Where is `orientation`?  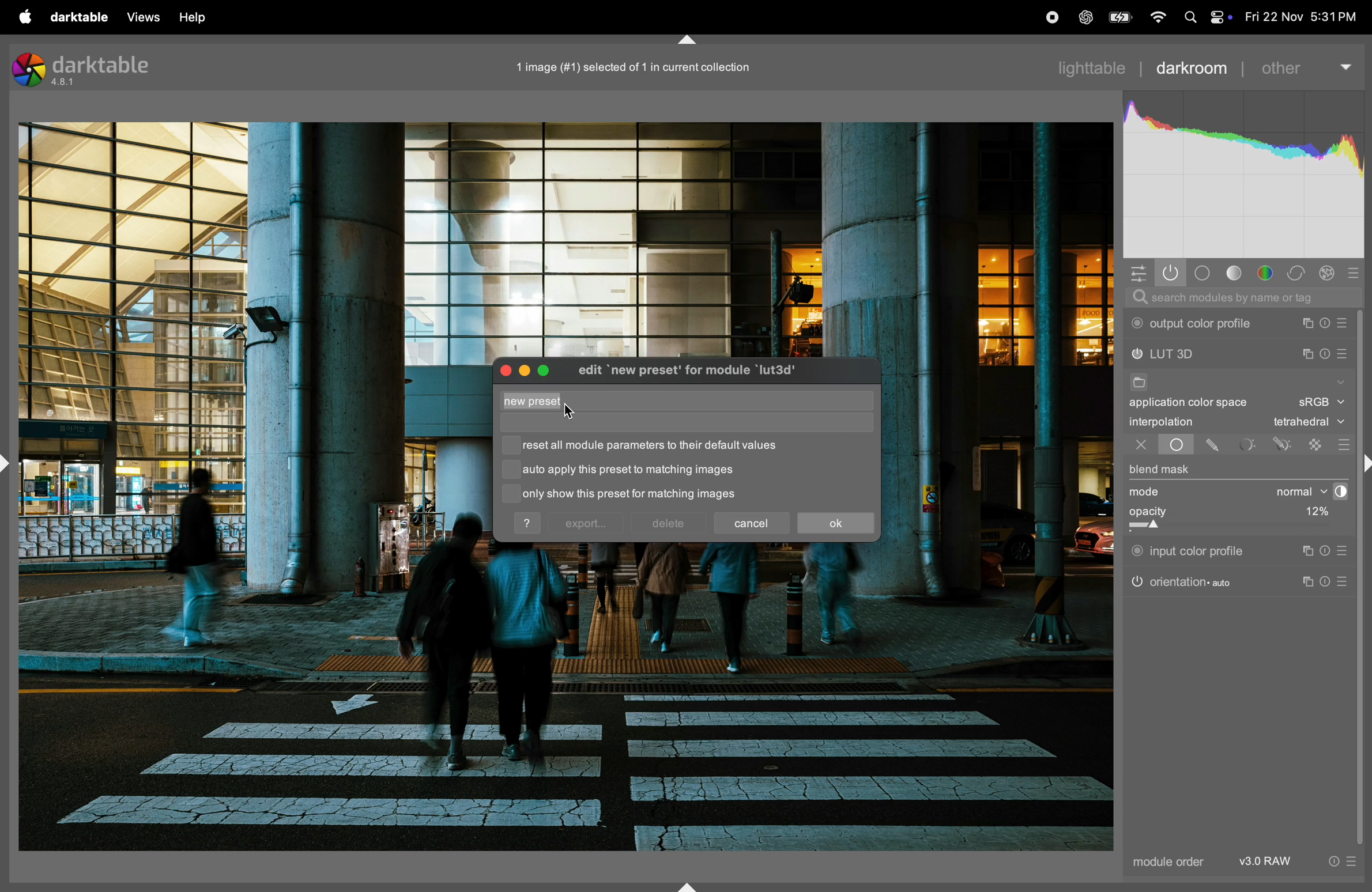
orientation is located at coordinates (1182, 581).